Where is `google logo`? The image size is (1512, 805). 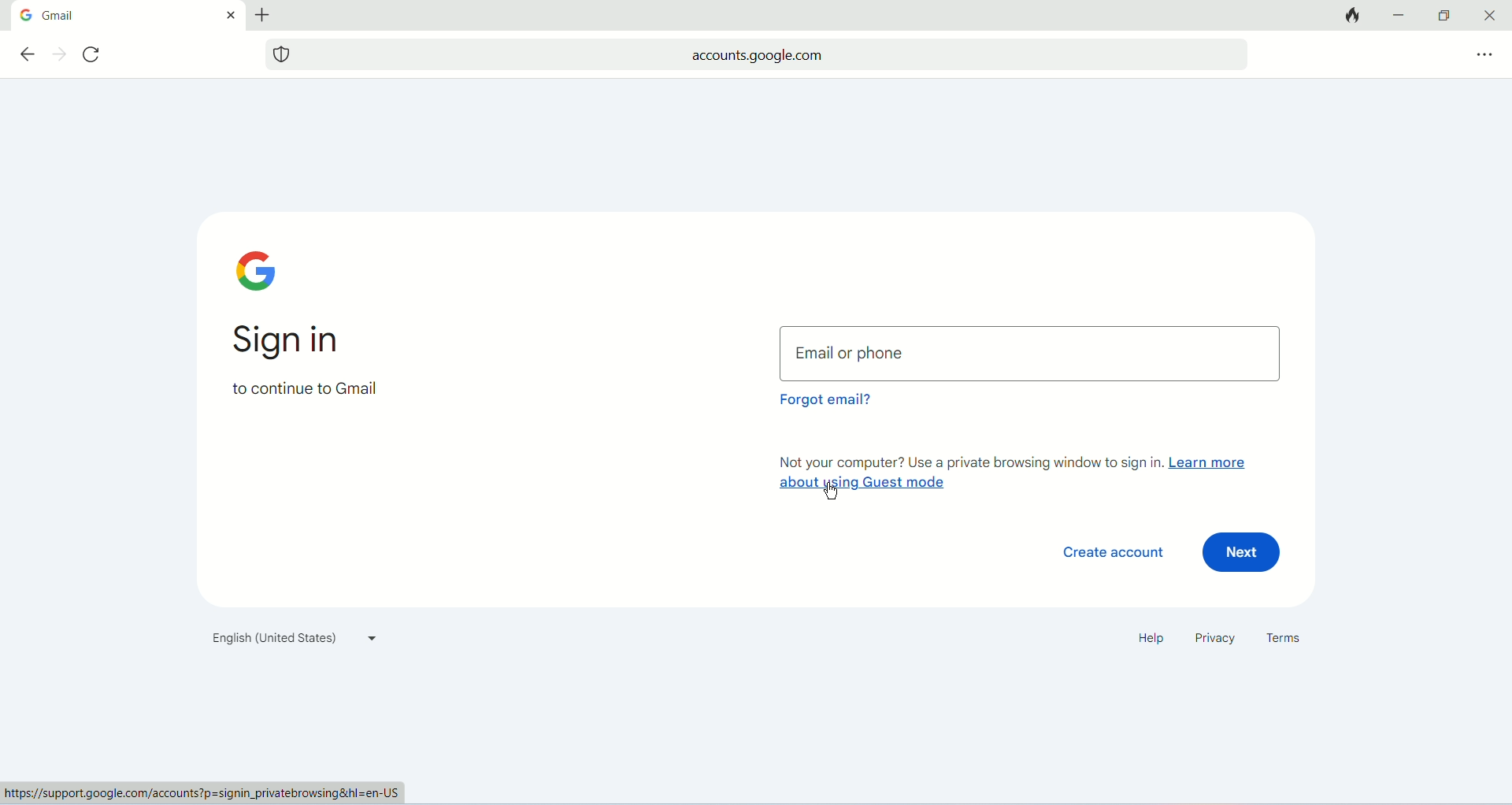 google logo is located at coordinates (262, 271).